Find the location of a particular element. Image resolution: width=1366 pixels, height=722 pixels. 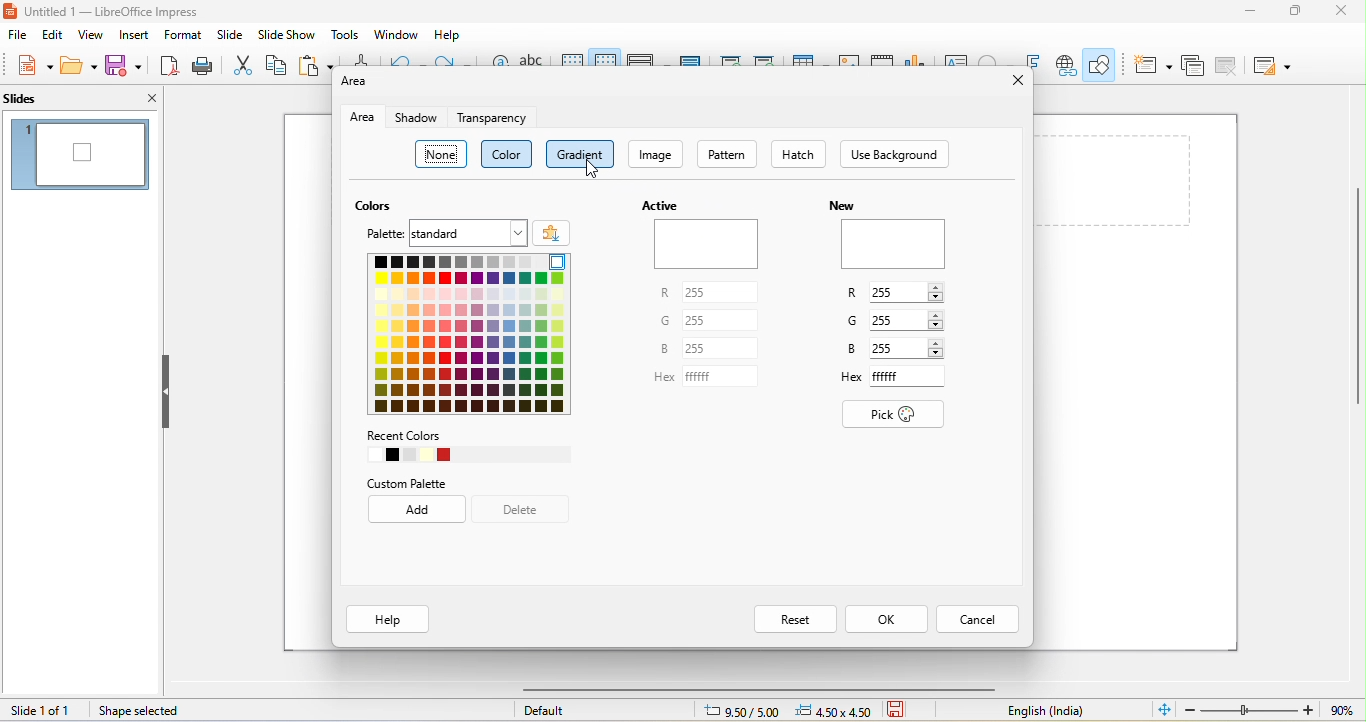

gradient is located at coordinates (581, 154).